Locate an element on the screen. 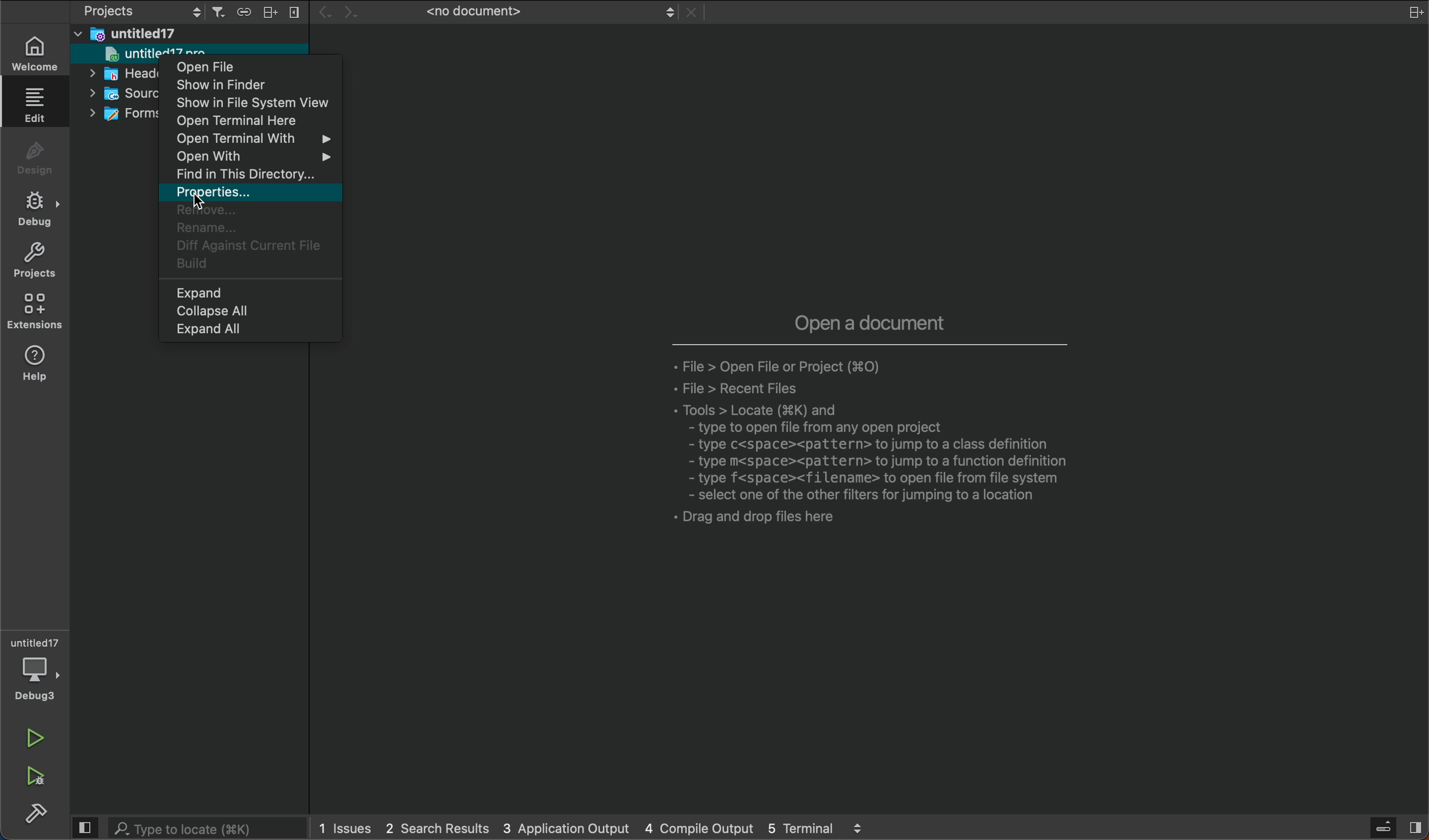 The image size is (1429, 840). sidebar toggle is located at coordinates (1395, 829).